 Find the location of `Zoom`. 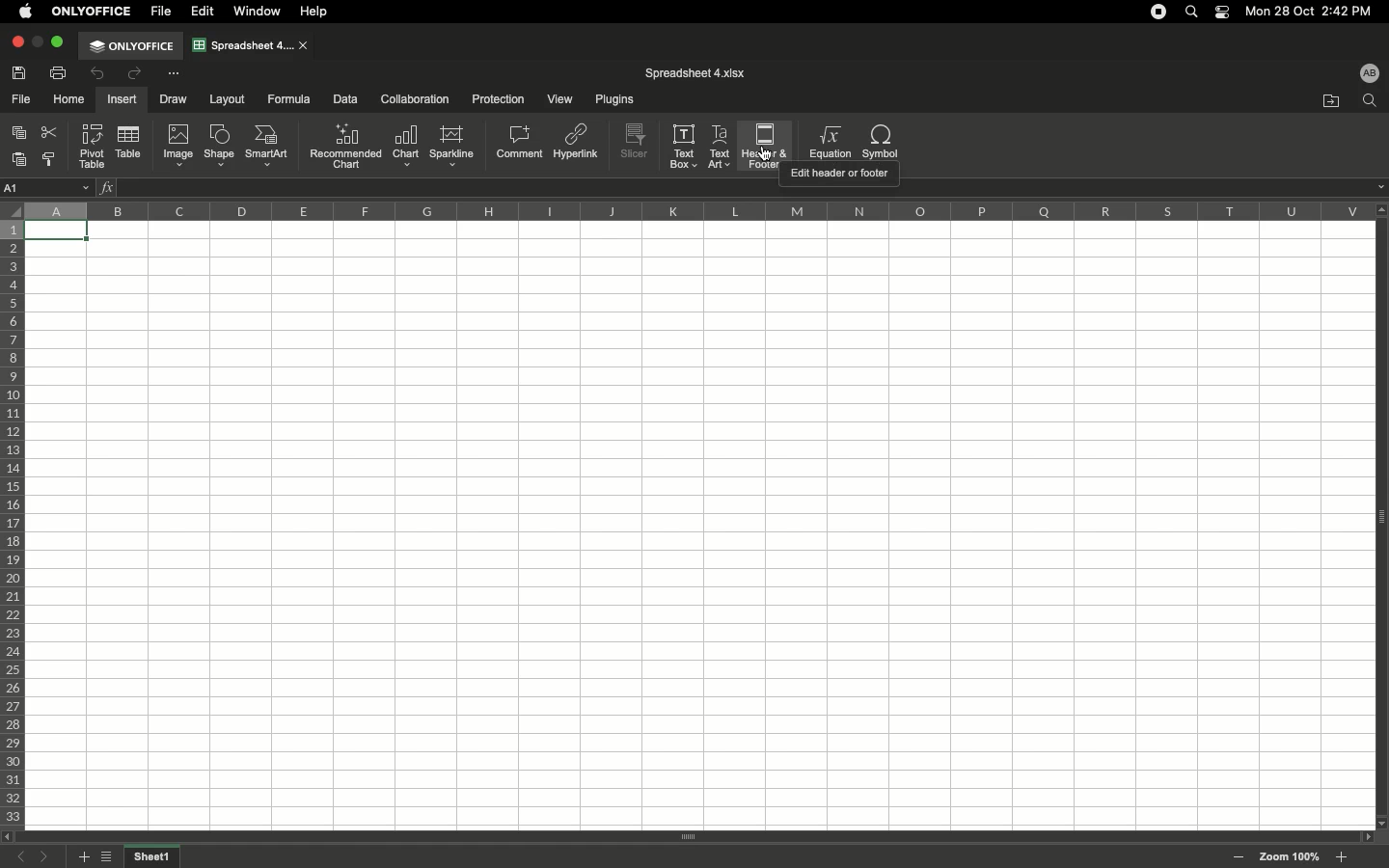

Zoom is located at coordinates (1290, 856).